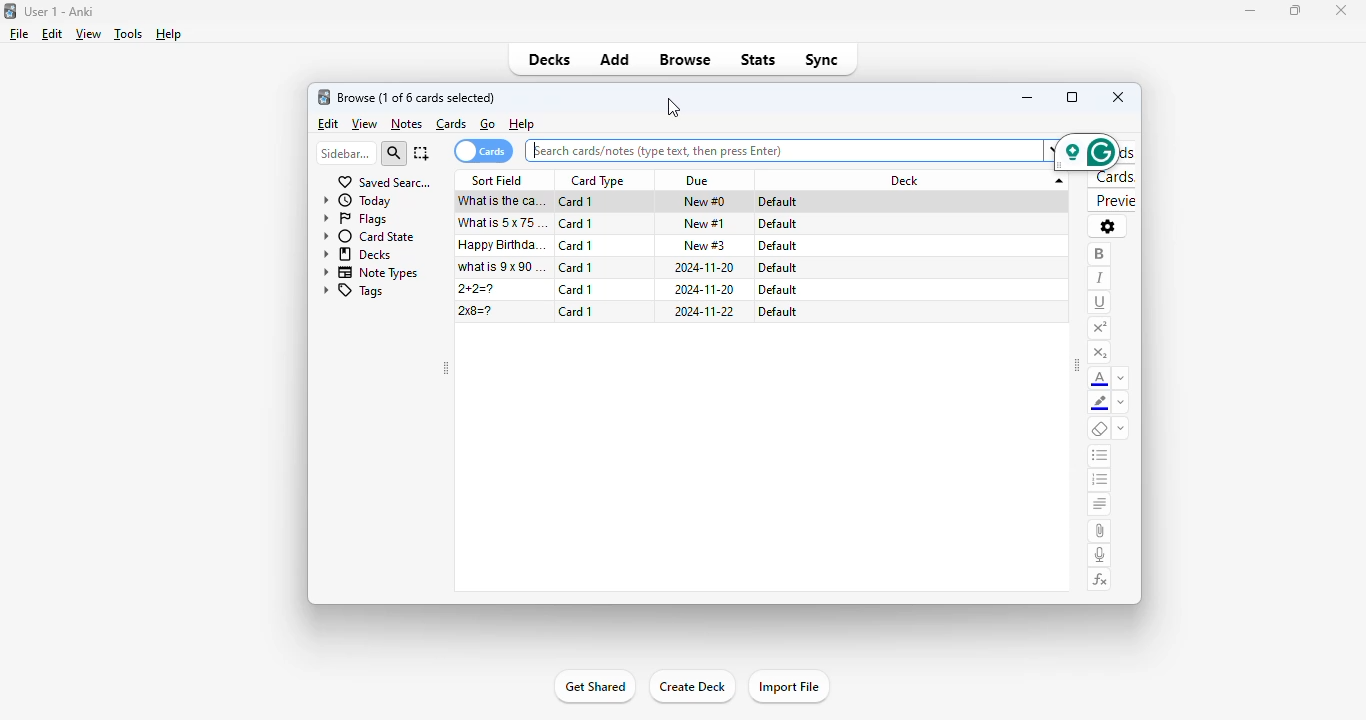 The width and height of the screenshot is (1366, 720). I want to click on default, so click(775, 223).